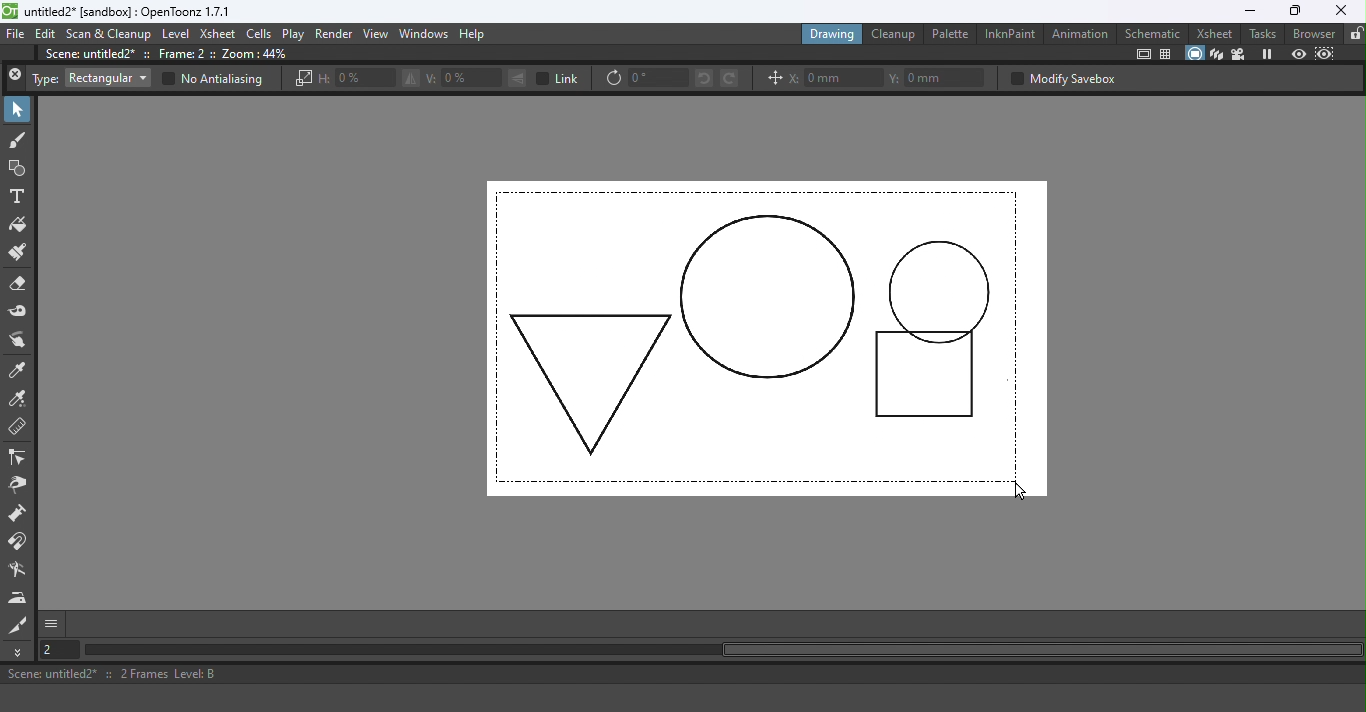  Describe the element at coordinates (20, 598) in the screenshot. I see `Iron tool` at that location.